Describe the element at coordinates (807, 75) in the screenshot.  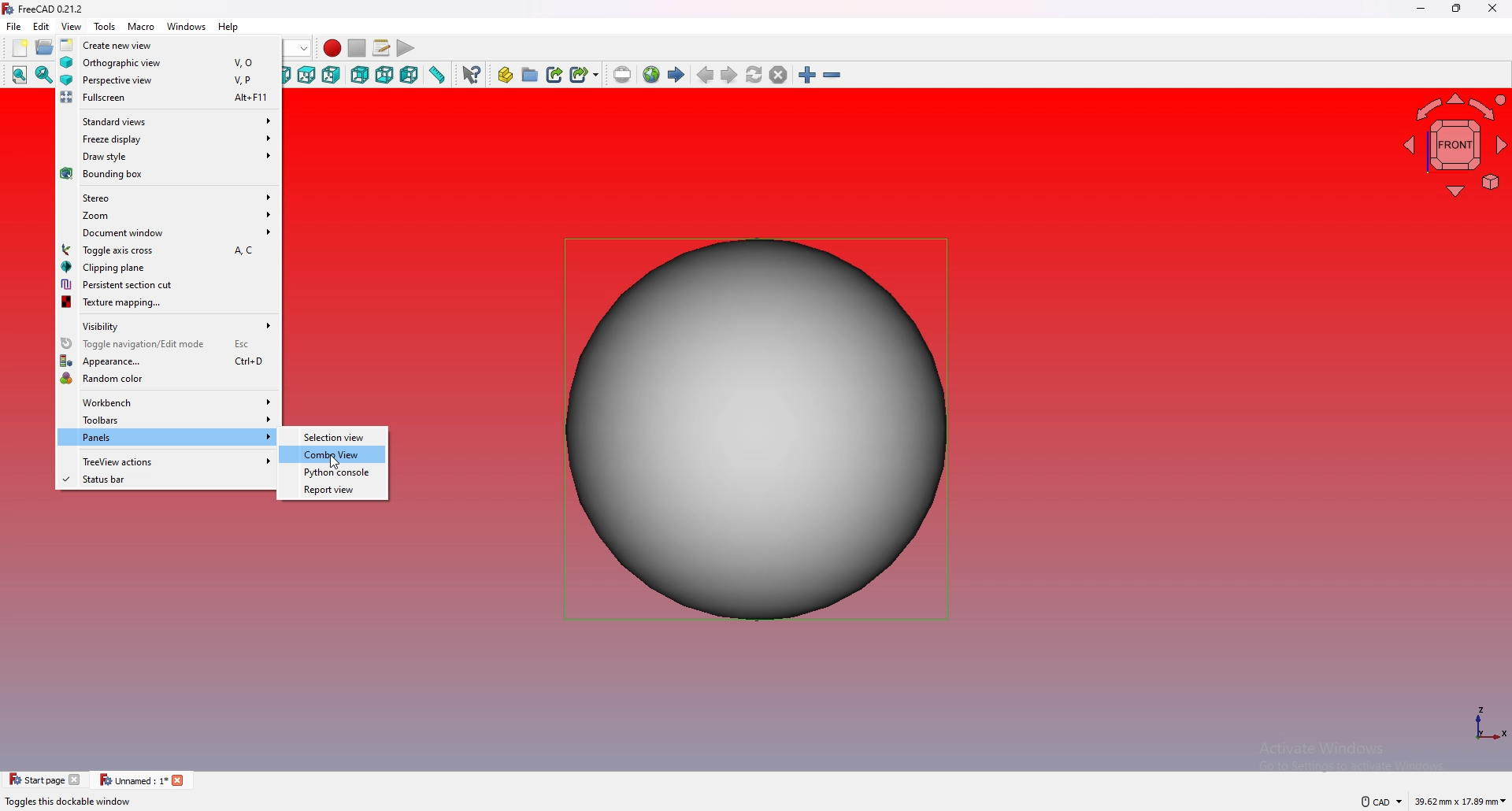
I see `zoom in` at that location.